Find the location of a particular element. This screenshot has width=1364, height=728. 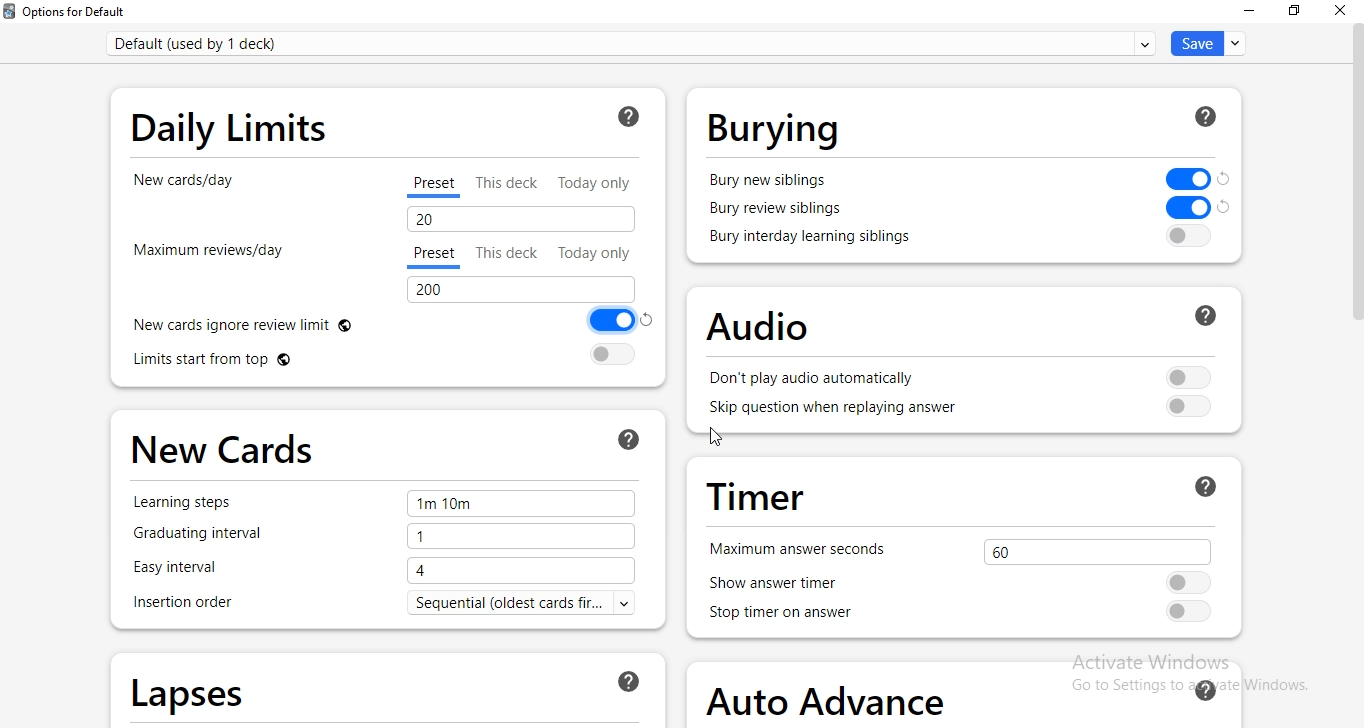

 is located at coordinates (1225, 207).